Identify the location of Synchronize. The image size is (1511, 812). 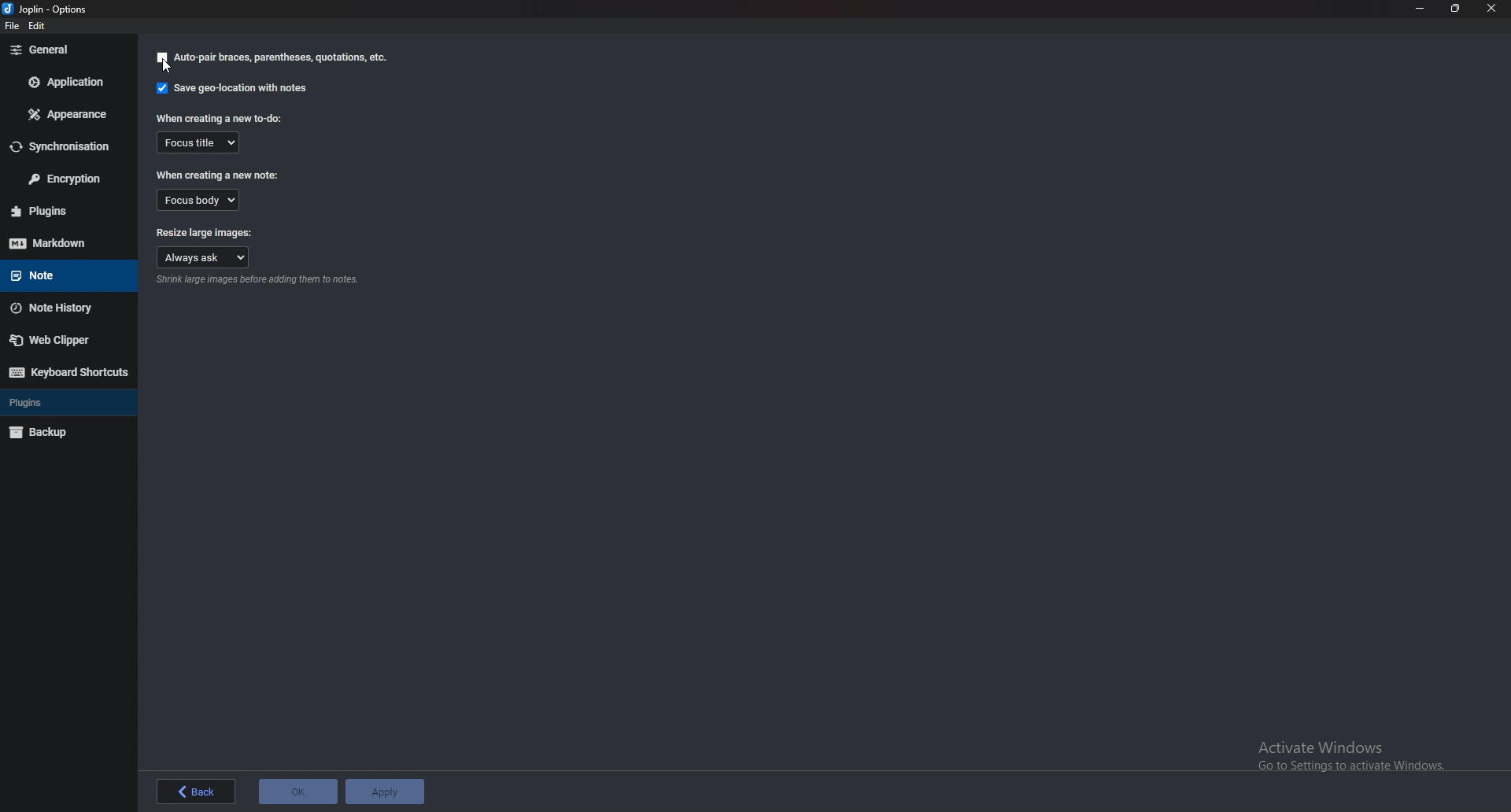
(64, 147).